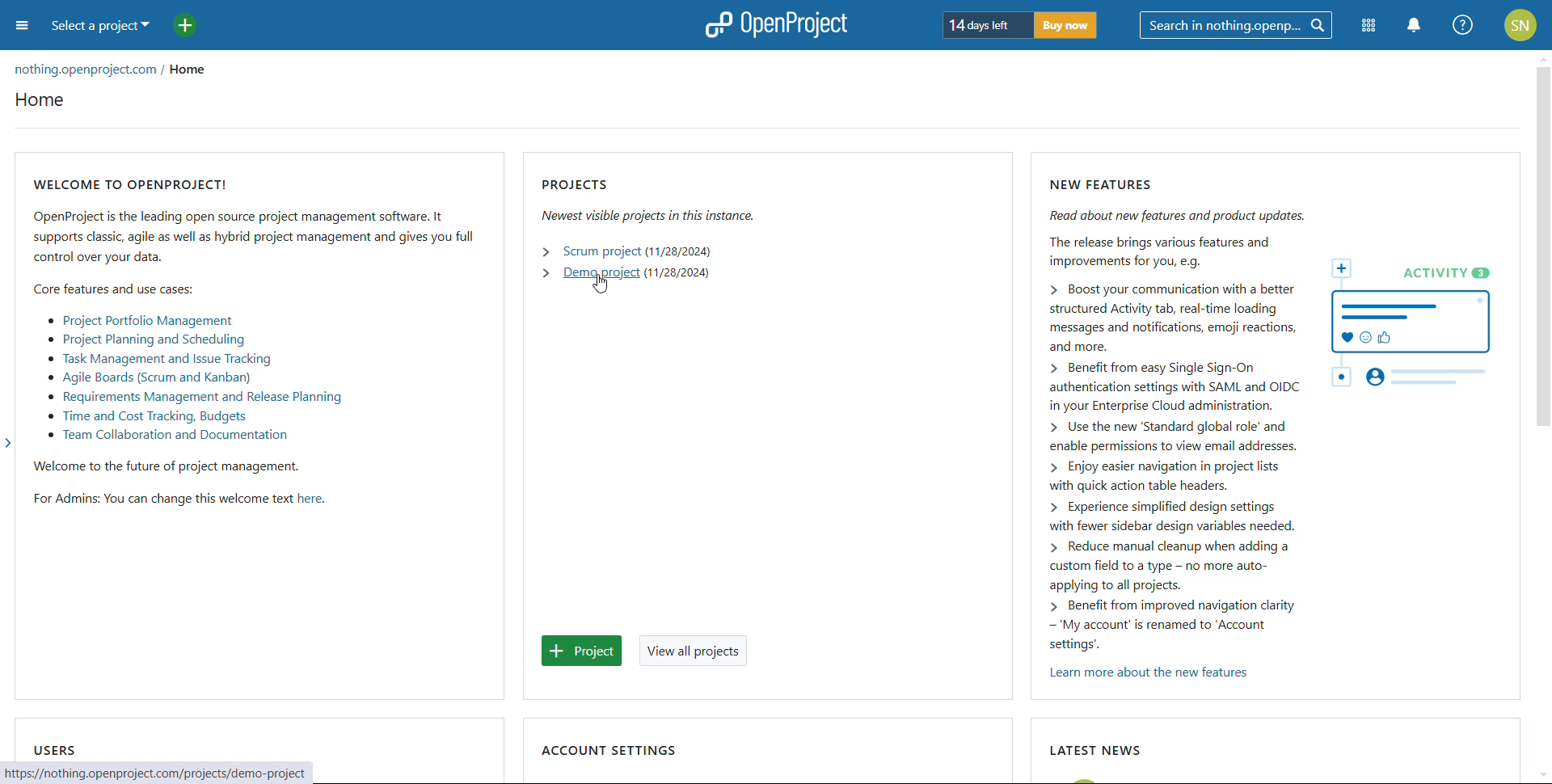  I want to click on Core features and use cases:, so click(112, 293).